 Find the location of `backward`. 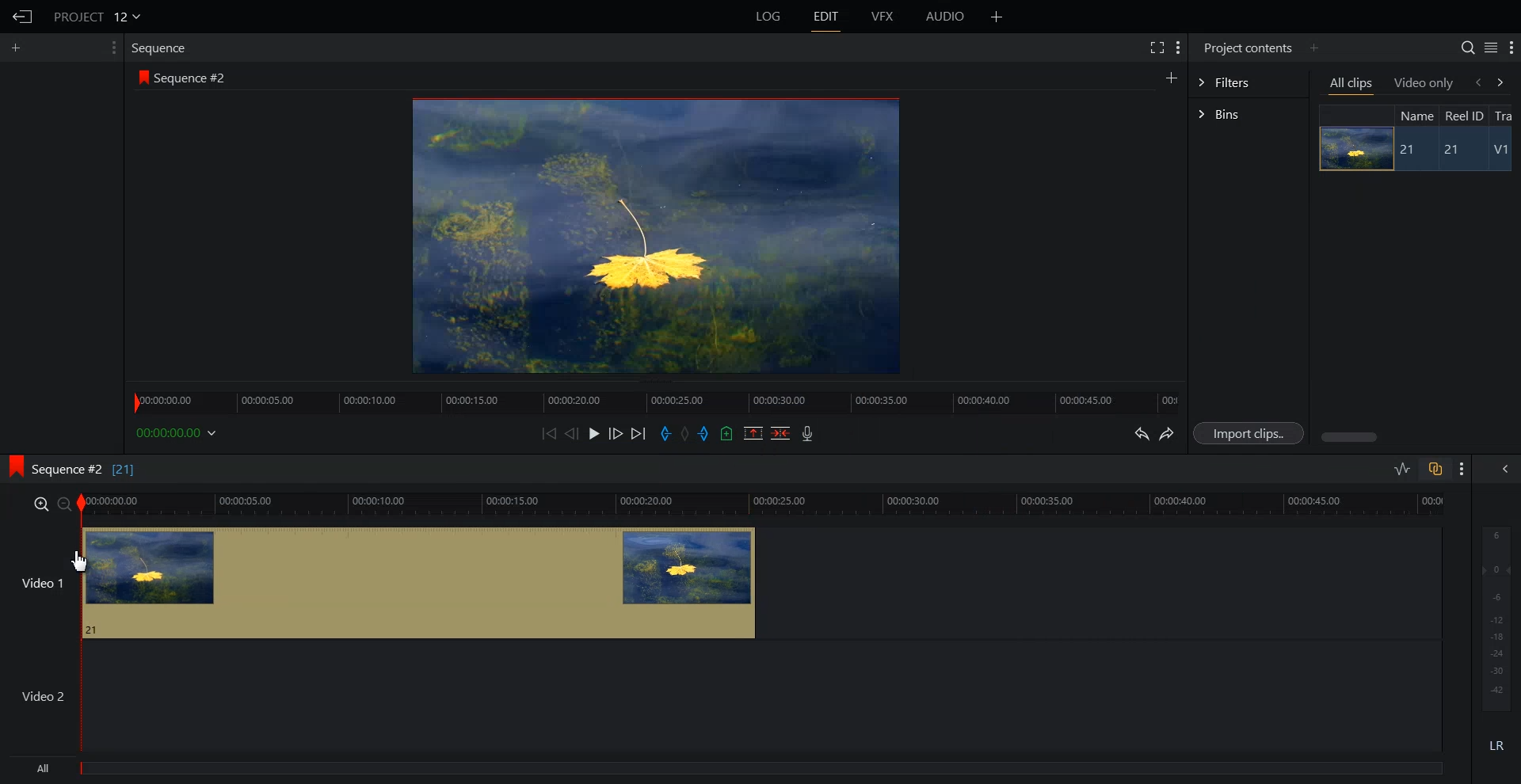

backward is located at coordinates (1477, 82).